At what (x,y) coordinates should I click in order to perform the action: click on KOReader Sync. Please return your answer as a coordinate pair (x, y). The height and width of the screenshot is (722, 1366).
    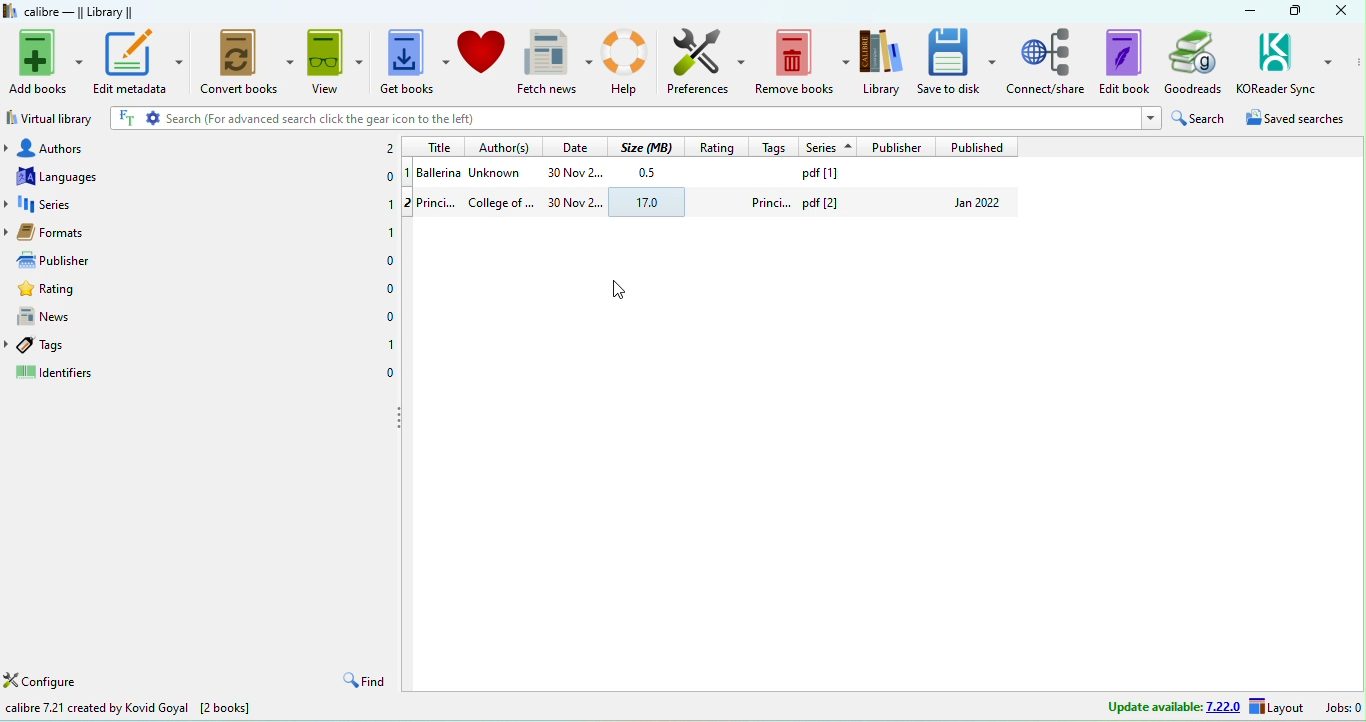
    Looking at the image, I should click on (1285, 61).